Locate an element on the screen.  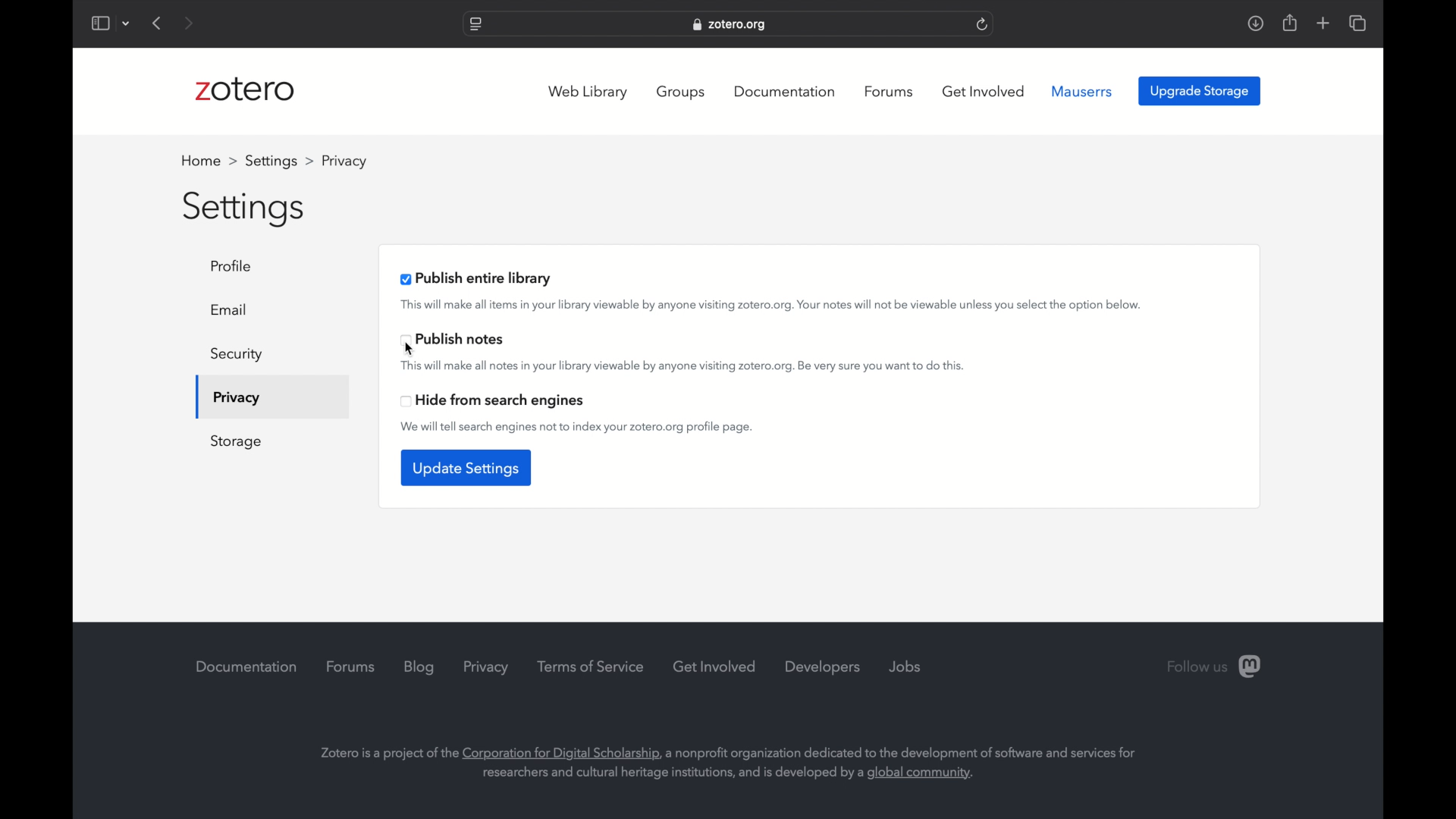
privacy is located at coordinates (235, 399).